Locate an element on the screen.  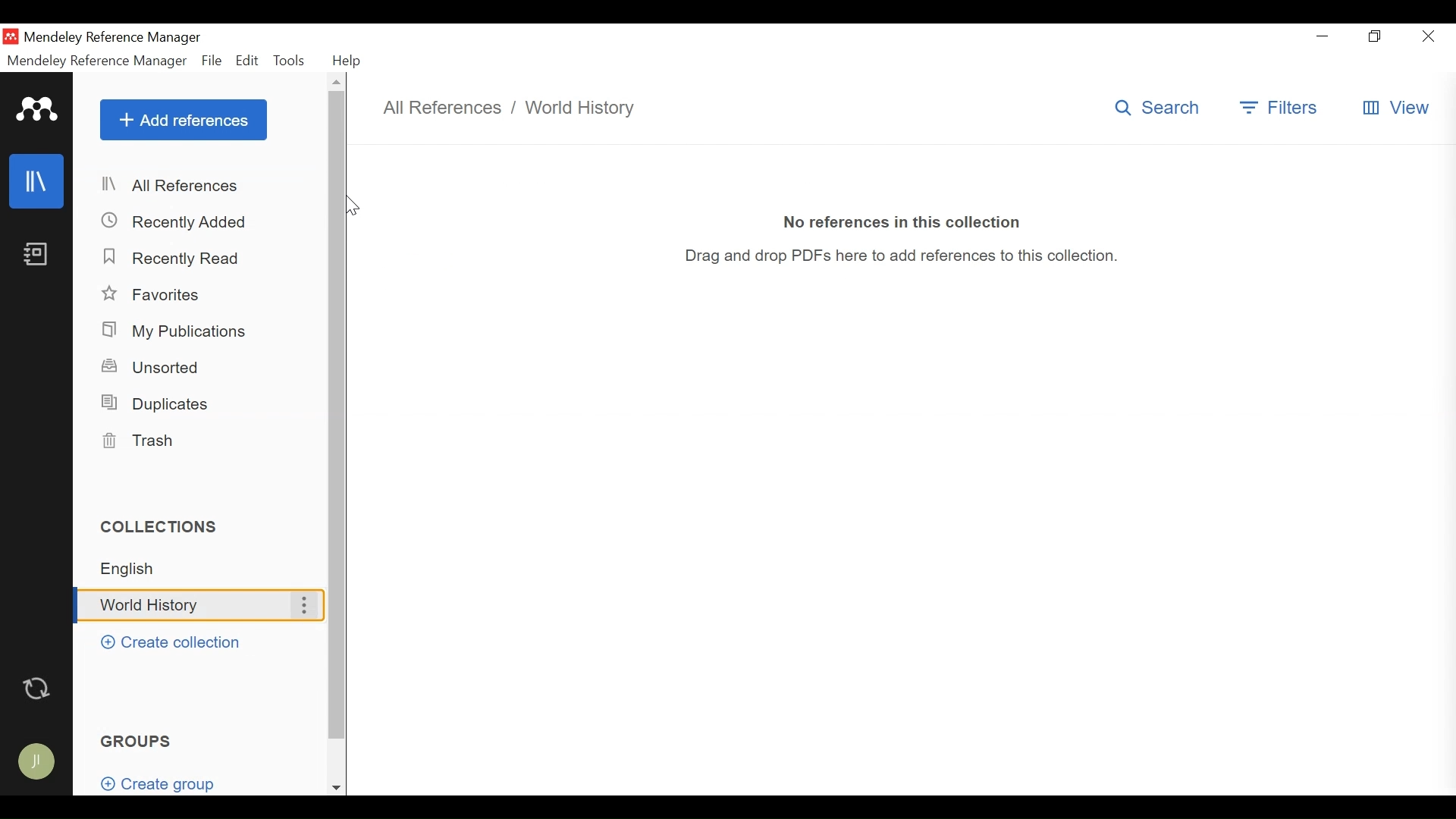
library is located at coordinates (37, 182).